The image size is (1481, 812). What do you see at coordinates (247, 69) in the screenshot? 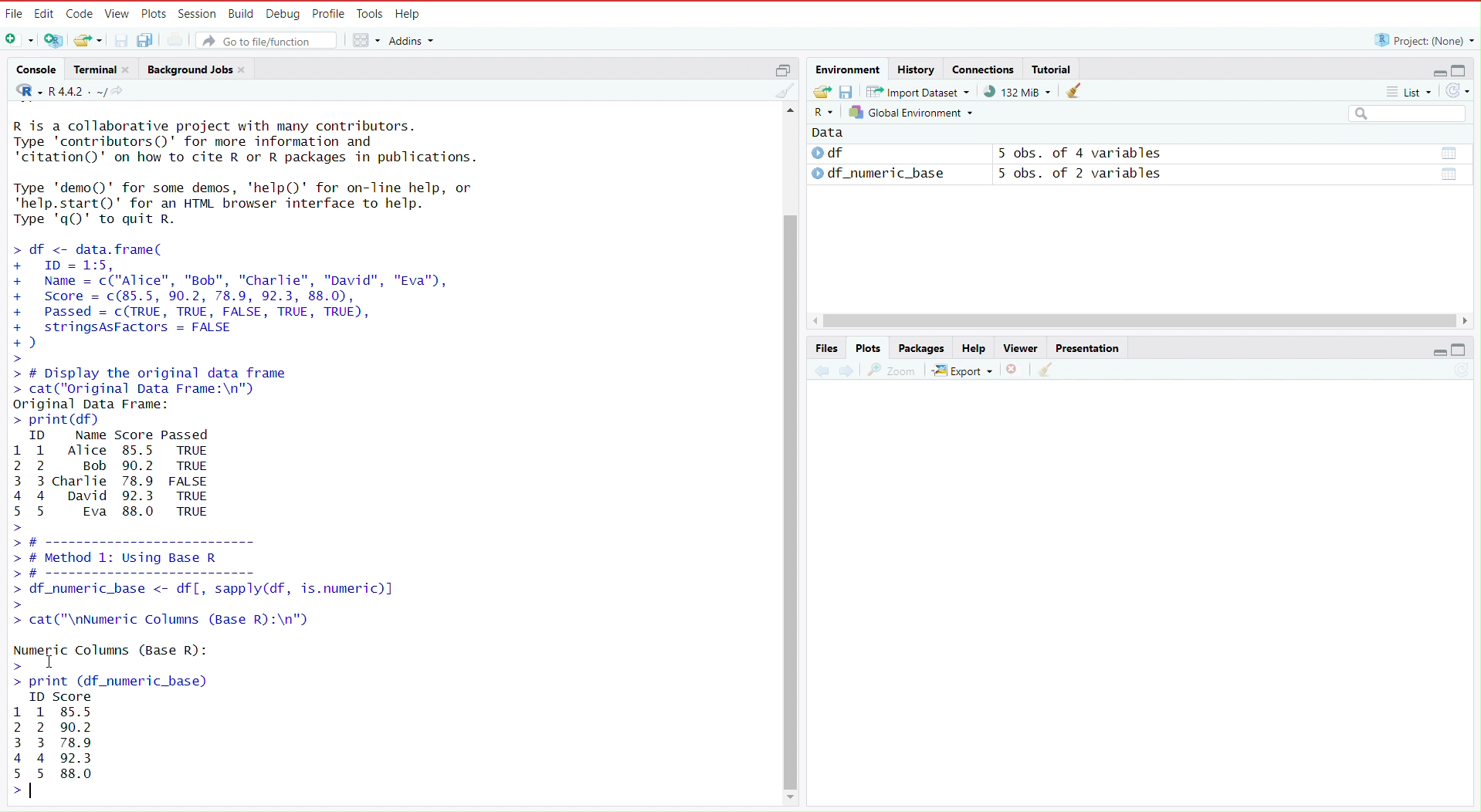
I see `close` at bounding box center [247, 69].